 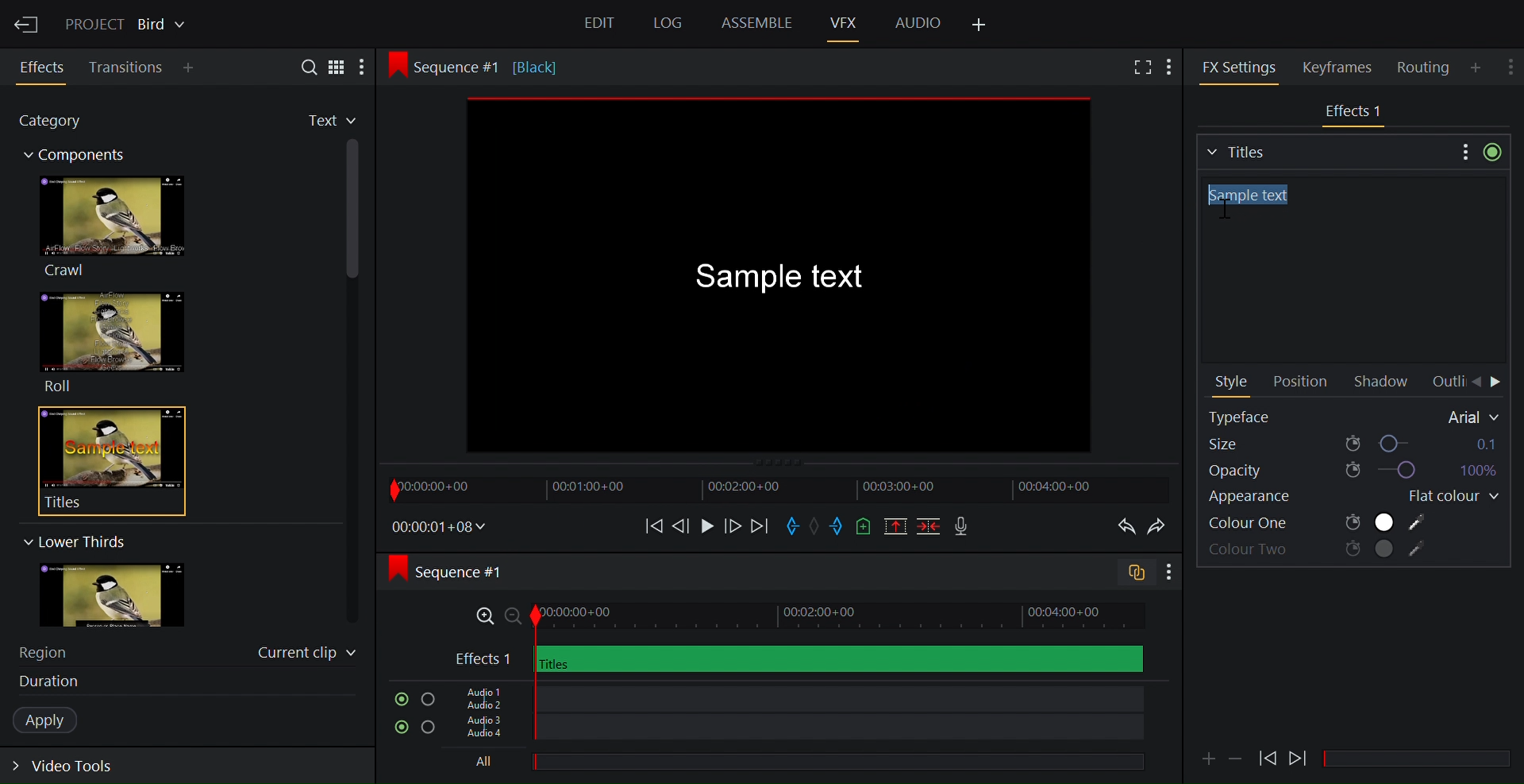 I want to click on Nudge one frame forward, so click(x=731, y=525).